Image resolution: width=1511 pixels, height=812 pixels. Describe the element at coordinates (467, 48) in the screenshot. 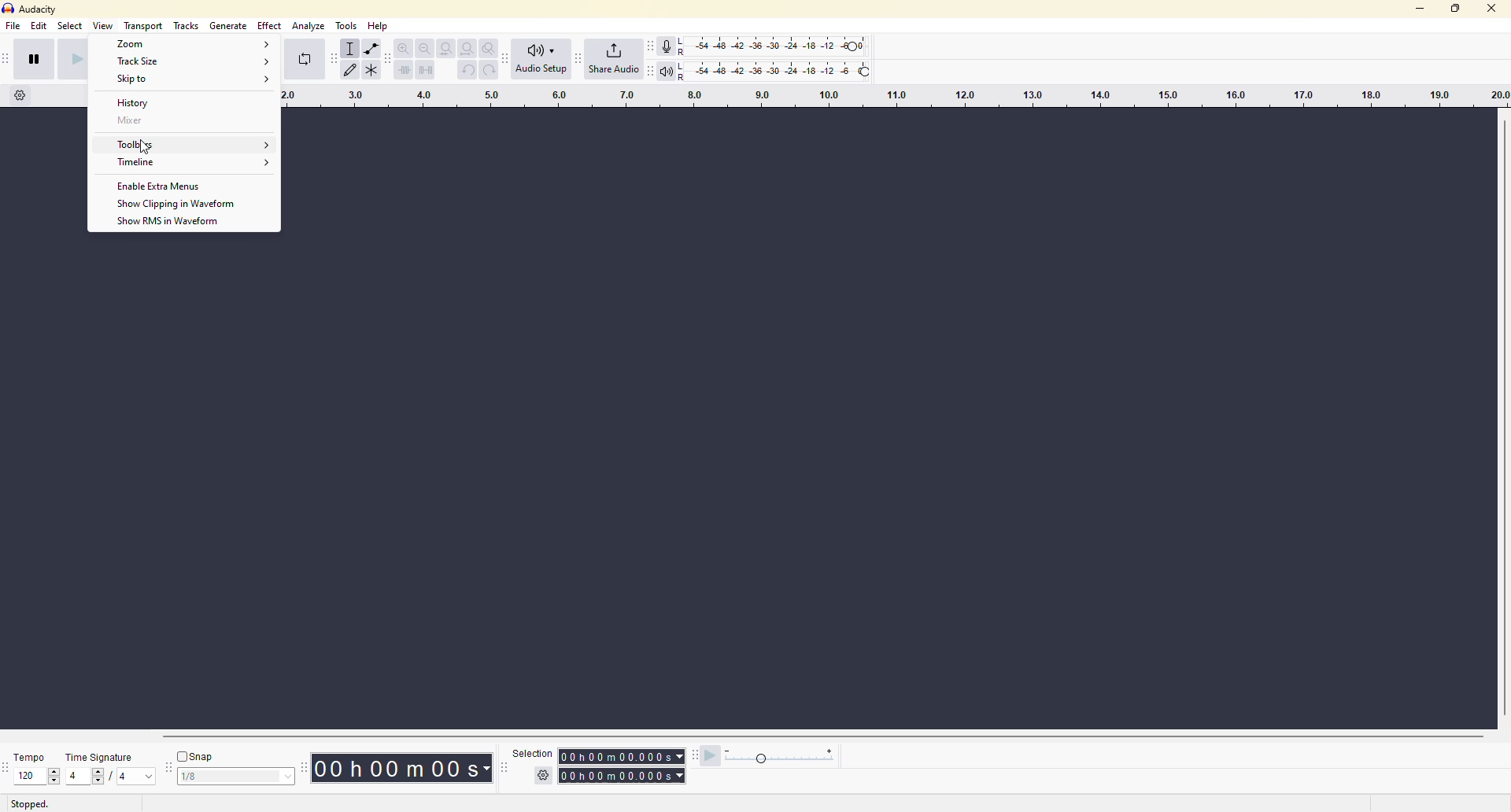

I see `fit project to width` at that location.